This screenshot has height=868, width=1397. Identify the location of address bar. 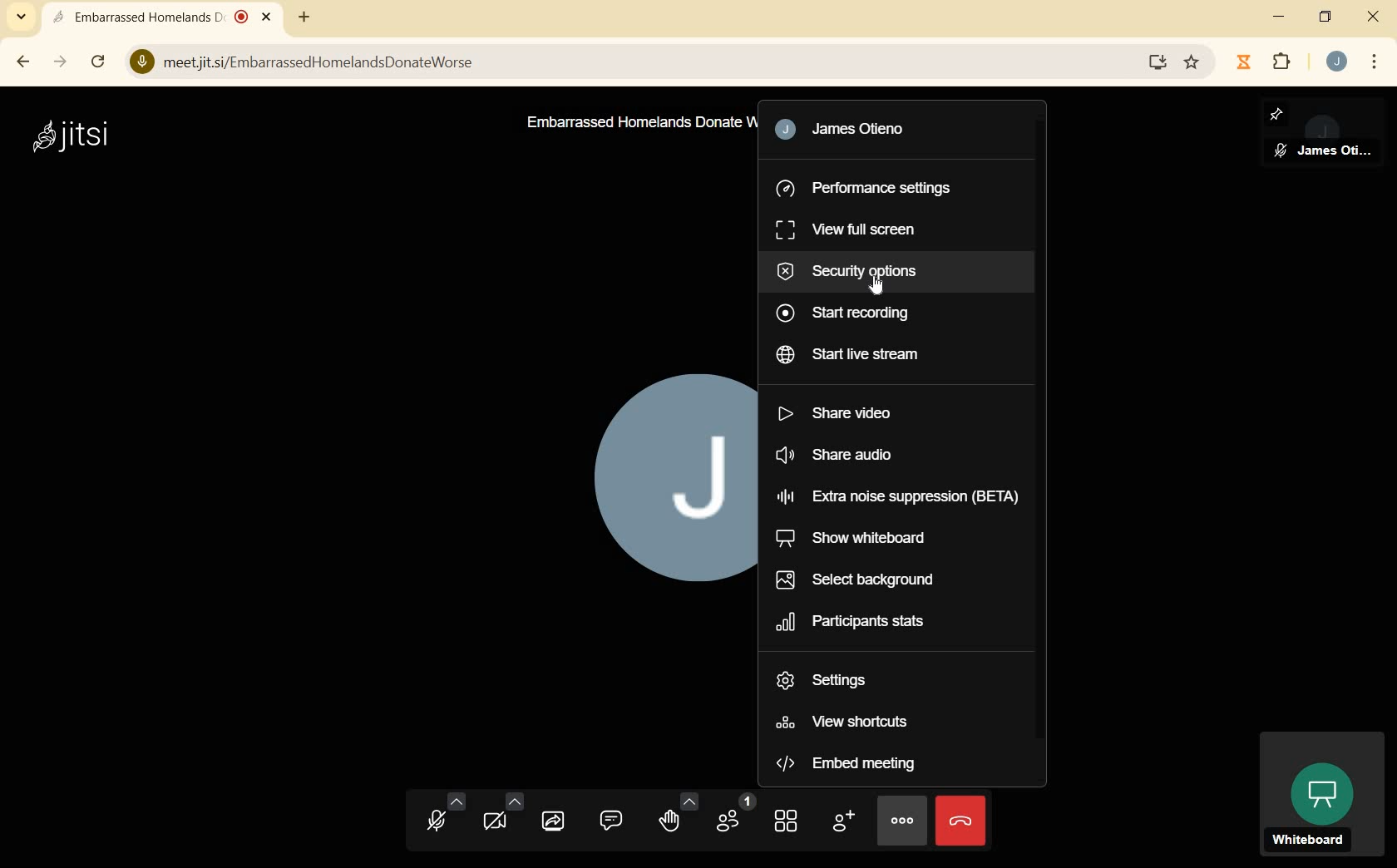
(644, 63).